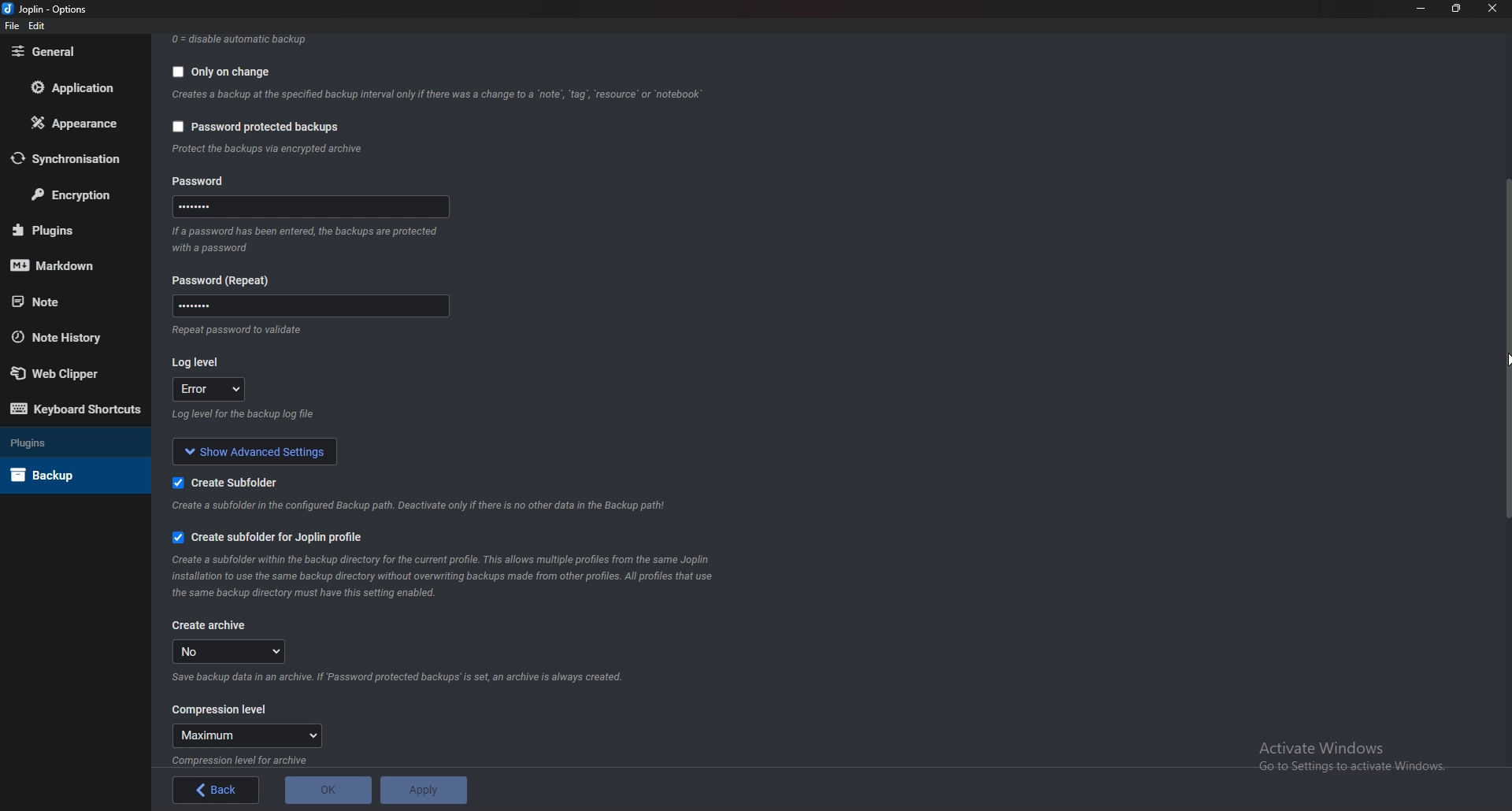 This screenshot has height=811, width=1512. What do you see at coordinates (439, 95) in the screenshot?
I see `Info backup on change` at bounding box center [439, 95].